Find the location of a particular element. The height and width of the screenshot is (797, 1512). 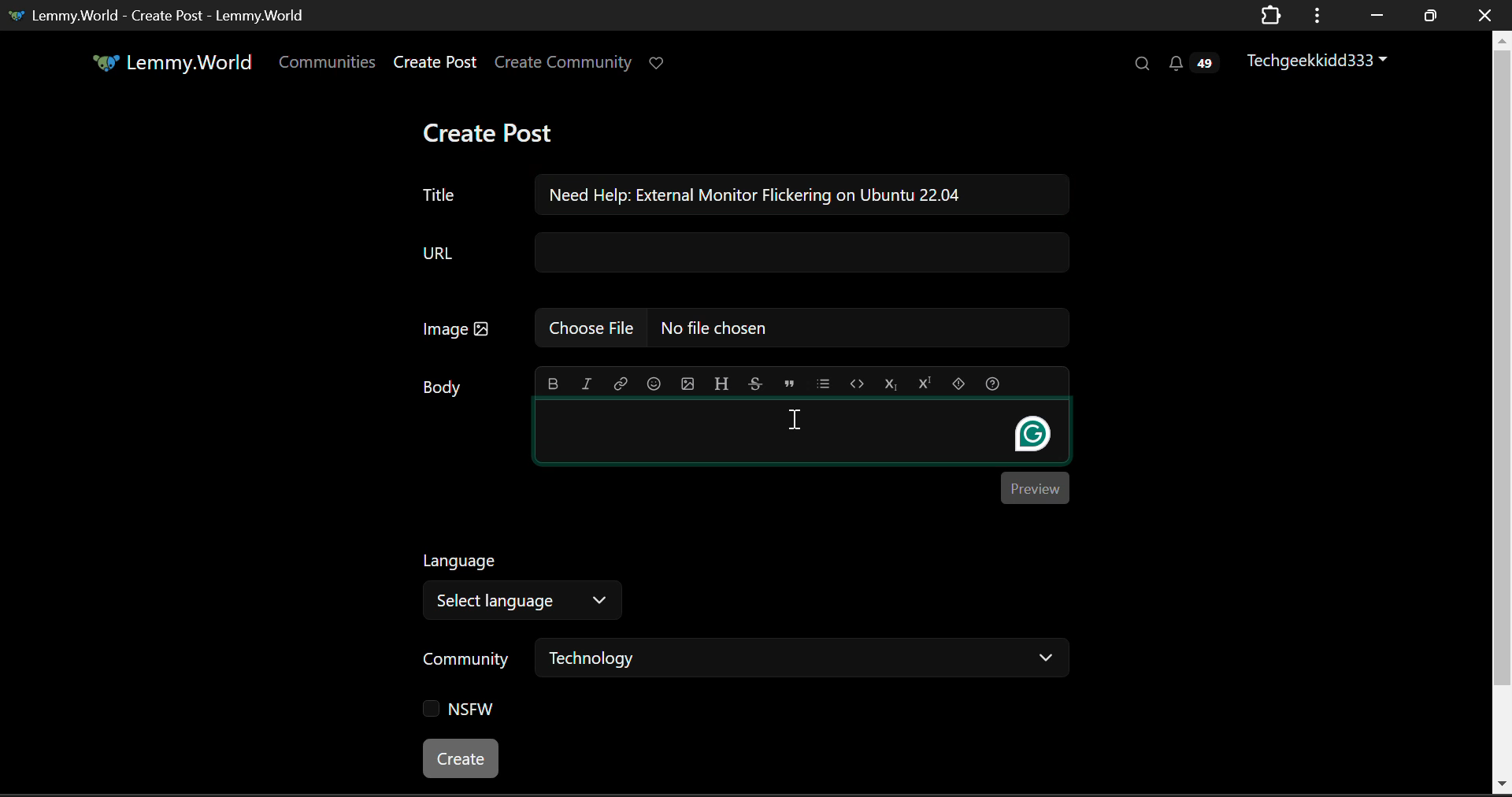

Spoiler is located at coordinates (958, 385).